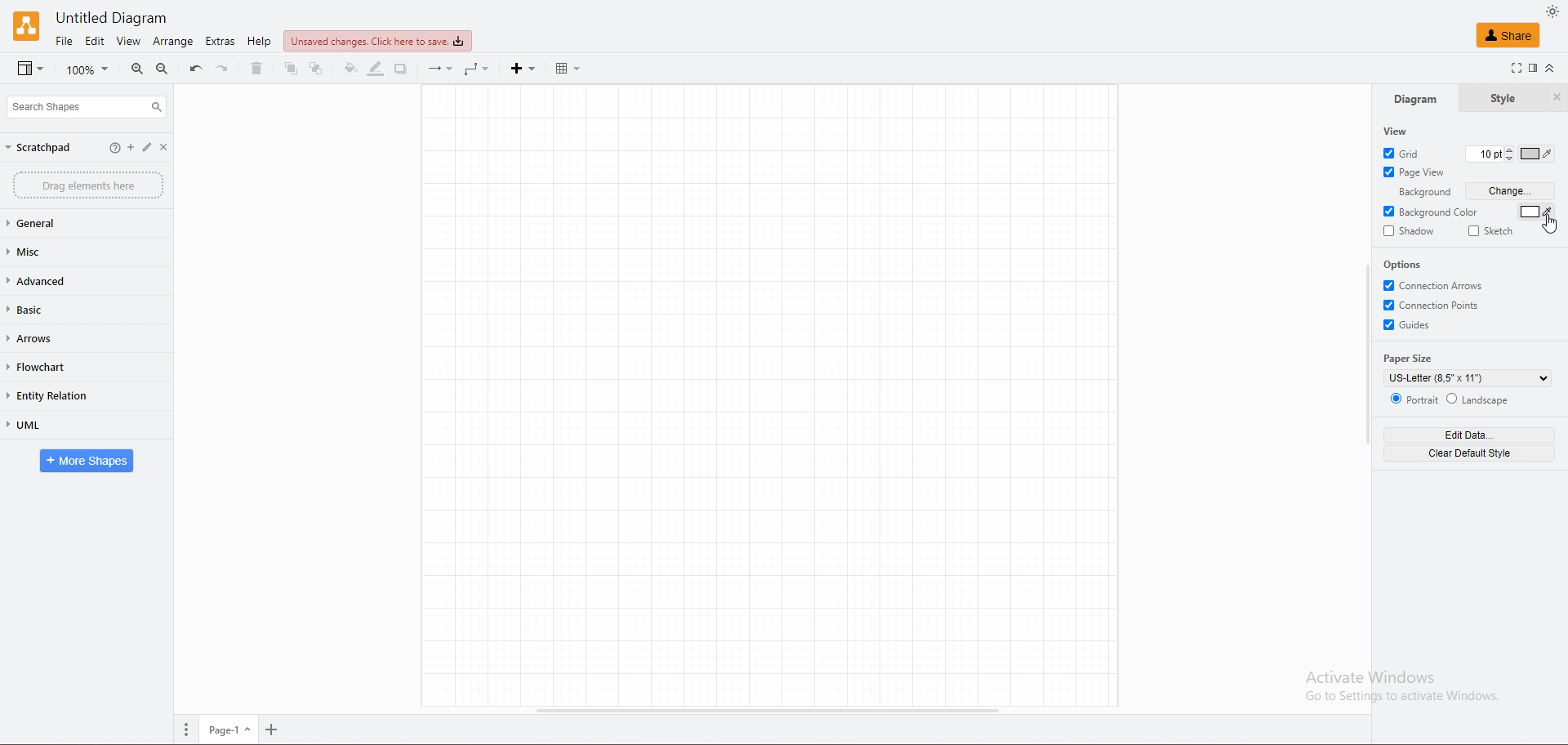 This screenshot has height=745, width=1568. I want to click on edit, so click(151, 149).